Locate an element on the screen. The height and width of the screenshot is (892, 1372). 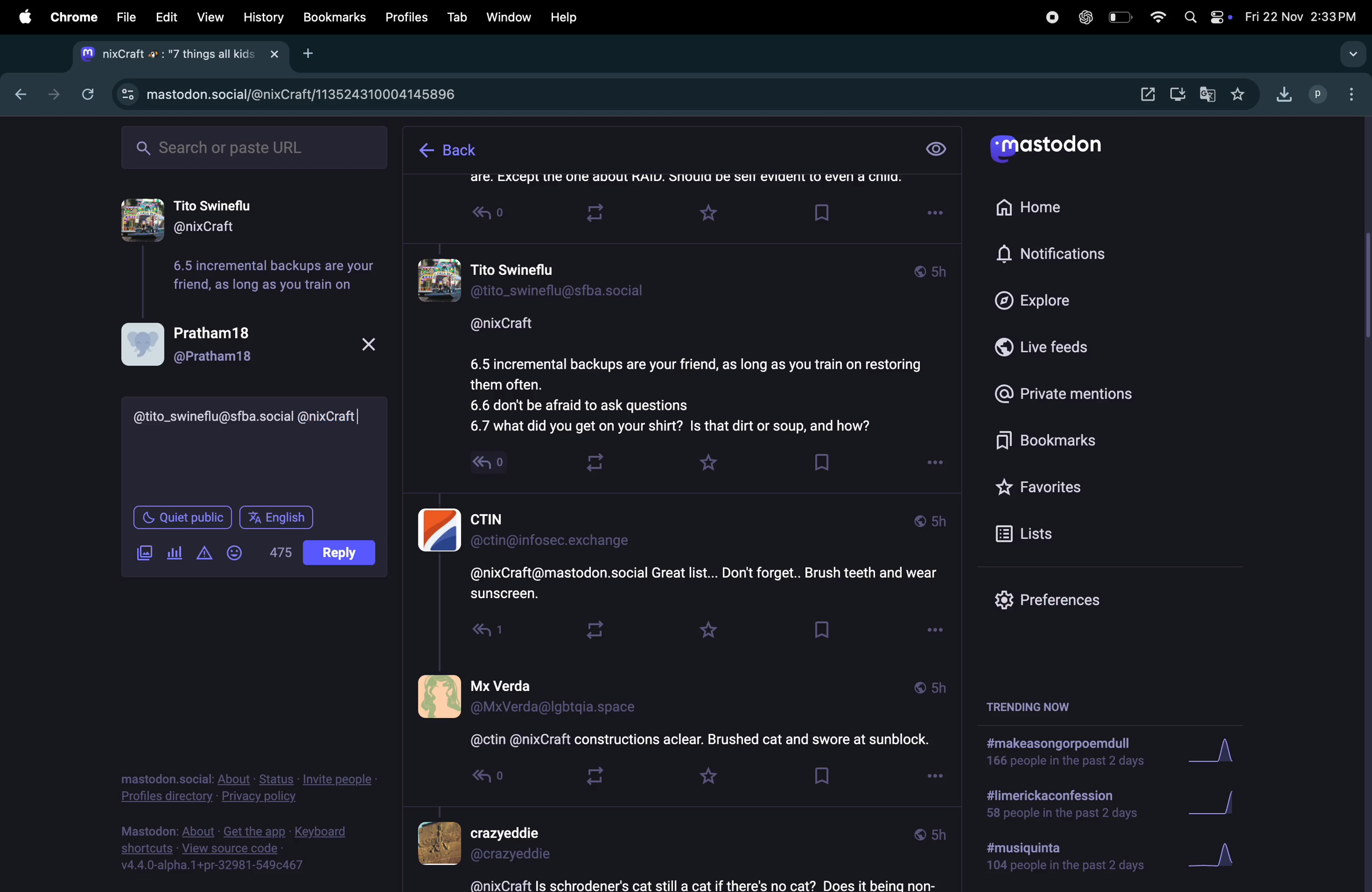
profiles is located at coordinates (404, 18).